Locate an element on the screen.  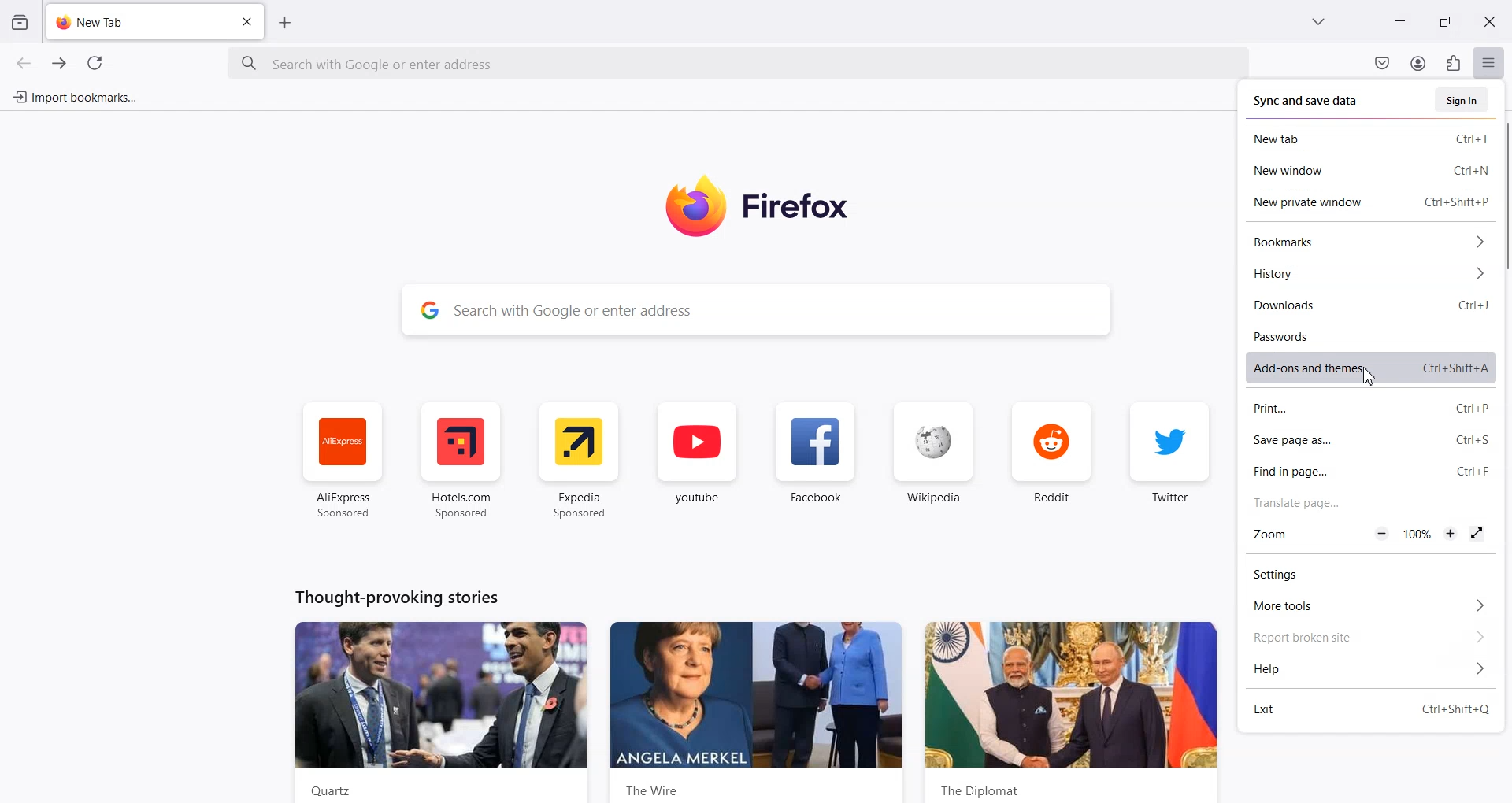
View recent Browsing is located at coordinates (20, 23).